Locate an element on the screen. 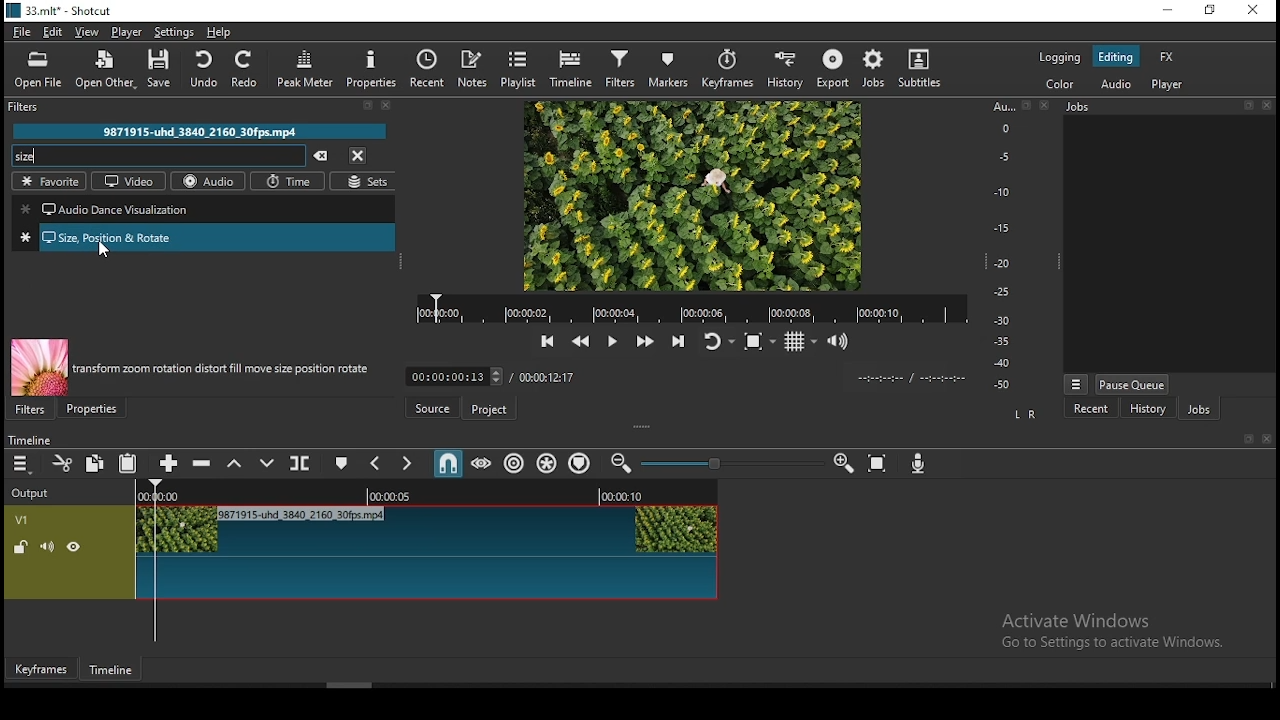 This screenshot has height=720, width=1280. cursor is located at coordinates (107, 252).